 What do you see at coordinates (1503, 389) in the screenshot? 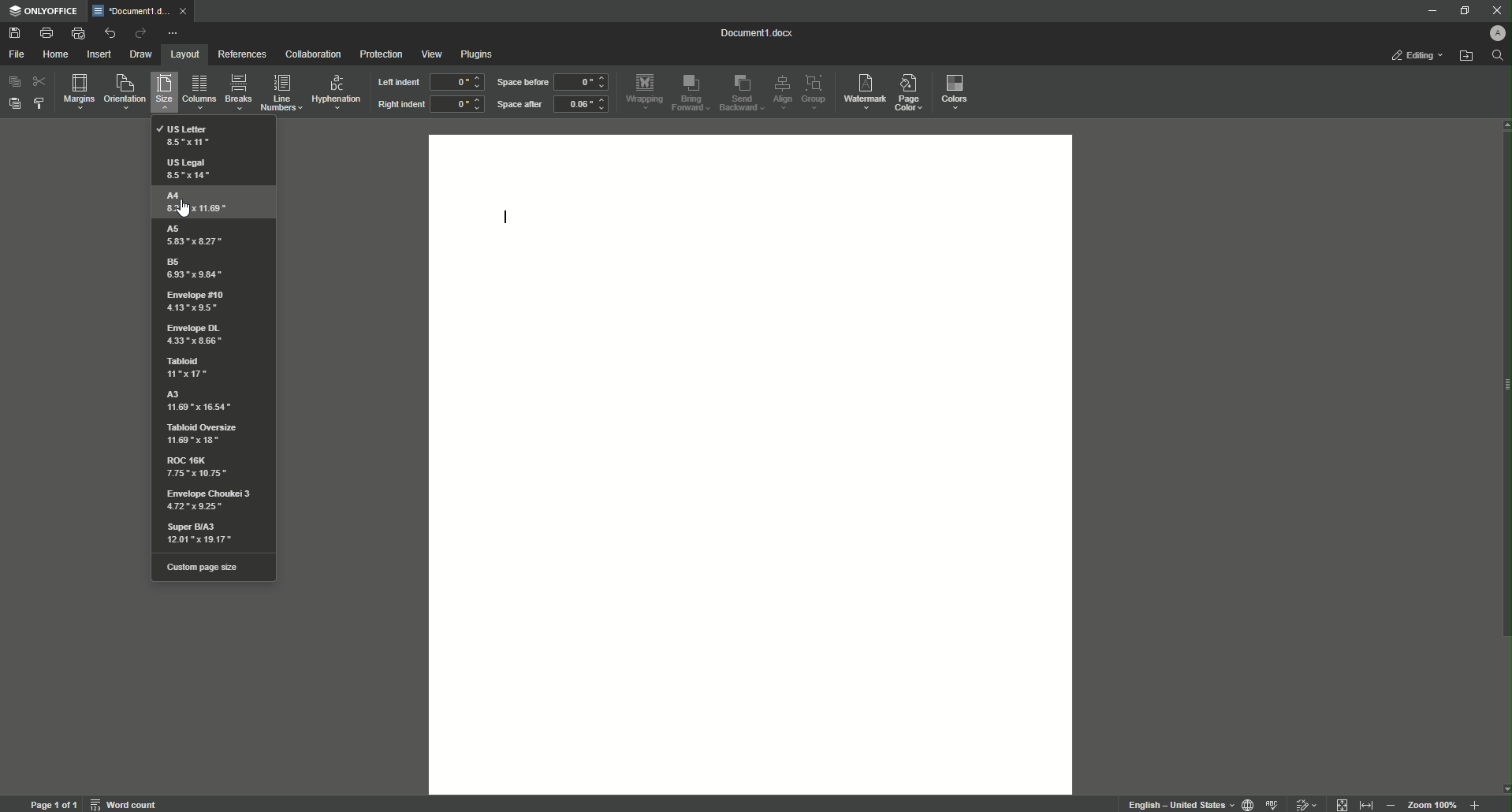
I see `Scrollbar` at bounding box center [1503, 389].